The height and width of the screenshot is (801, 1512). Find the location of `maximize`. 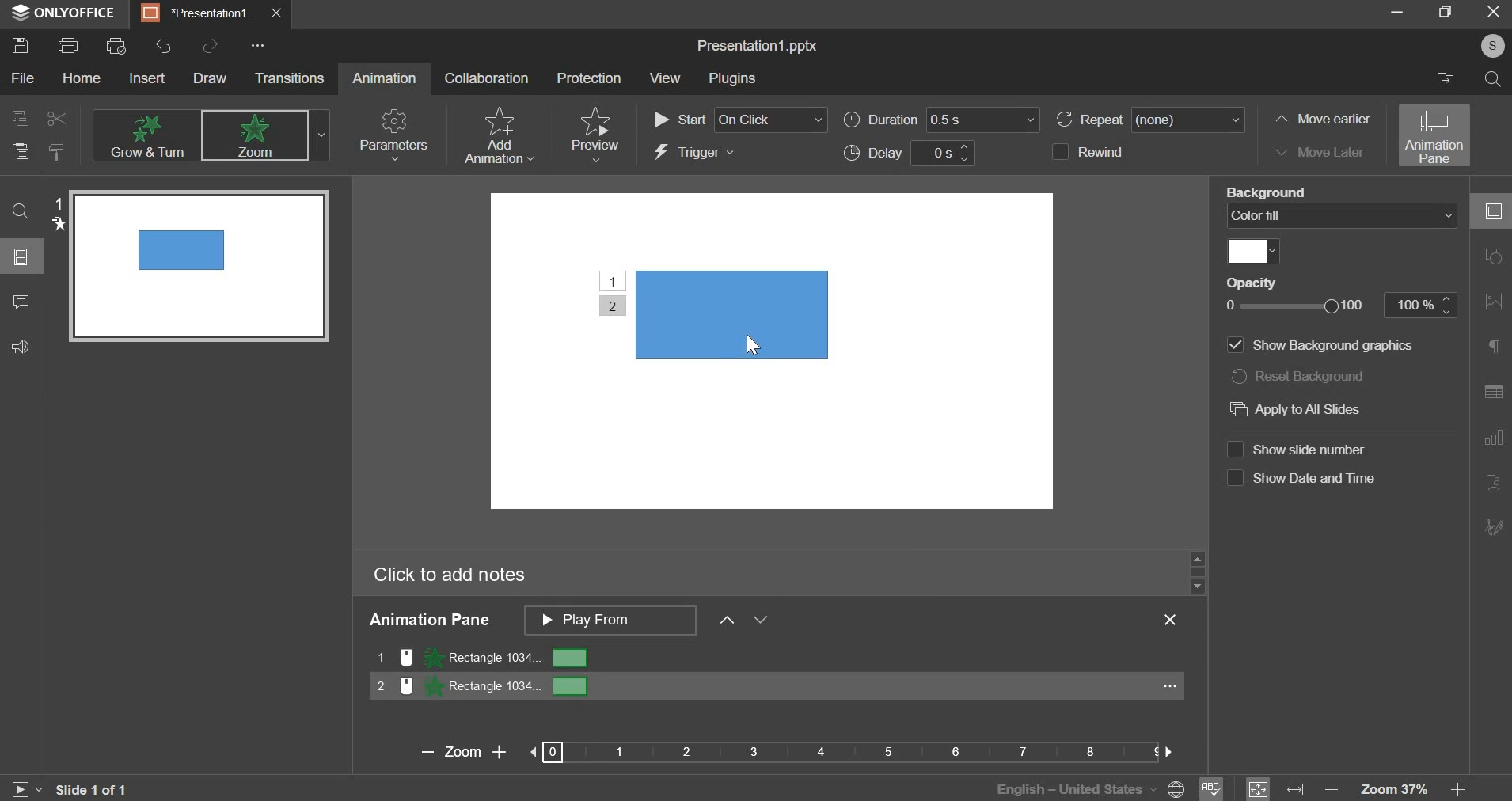

maximize is located at coordinates (1442, 14).